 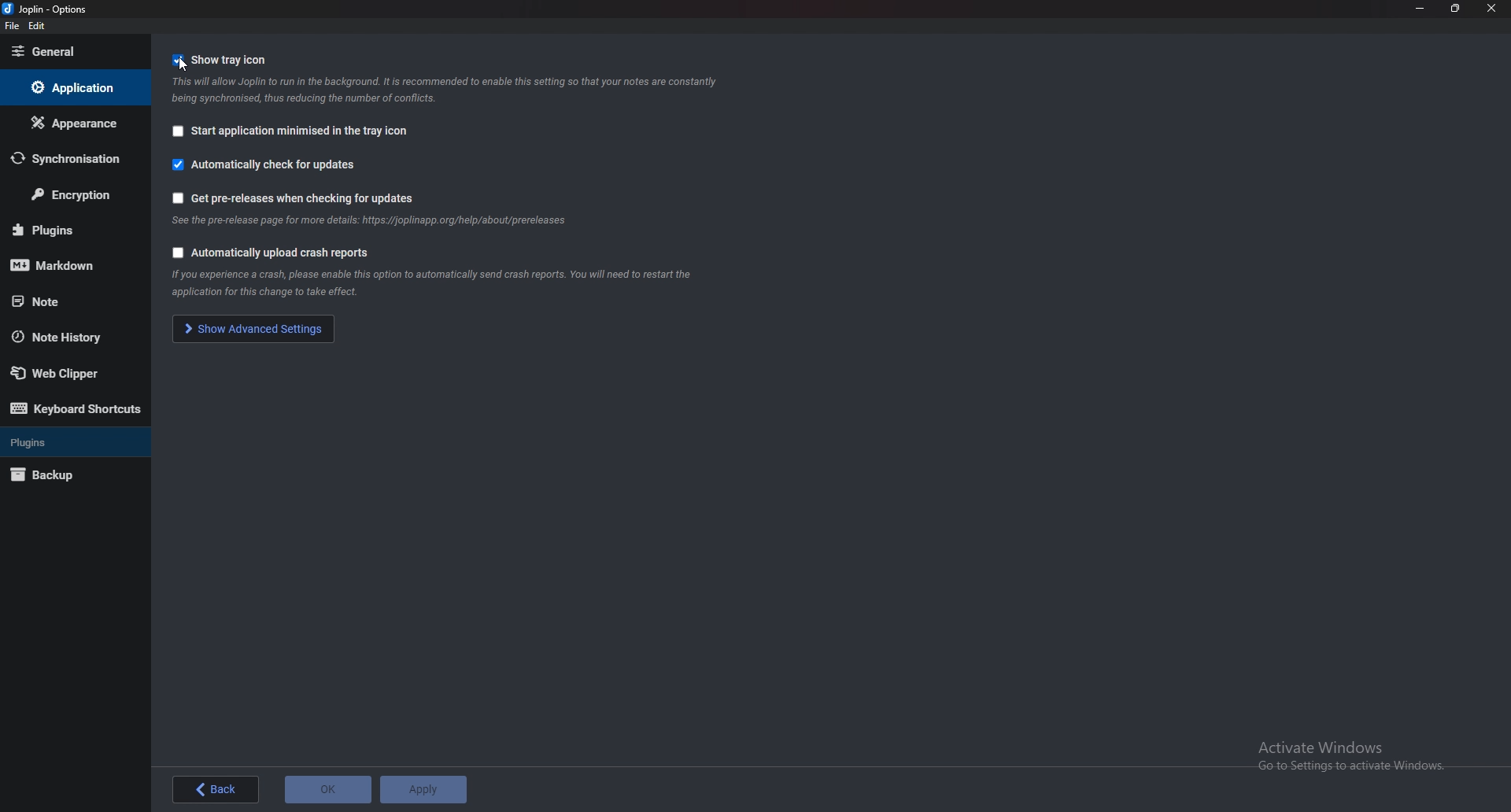 I want to click on Checkbox , so click(x=175, y=164).